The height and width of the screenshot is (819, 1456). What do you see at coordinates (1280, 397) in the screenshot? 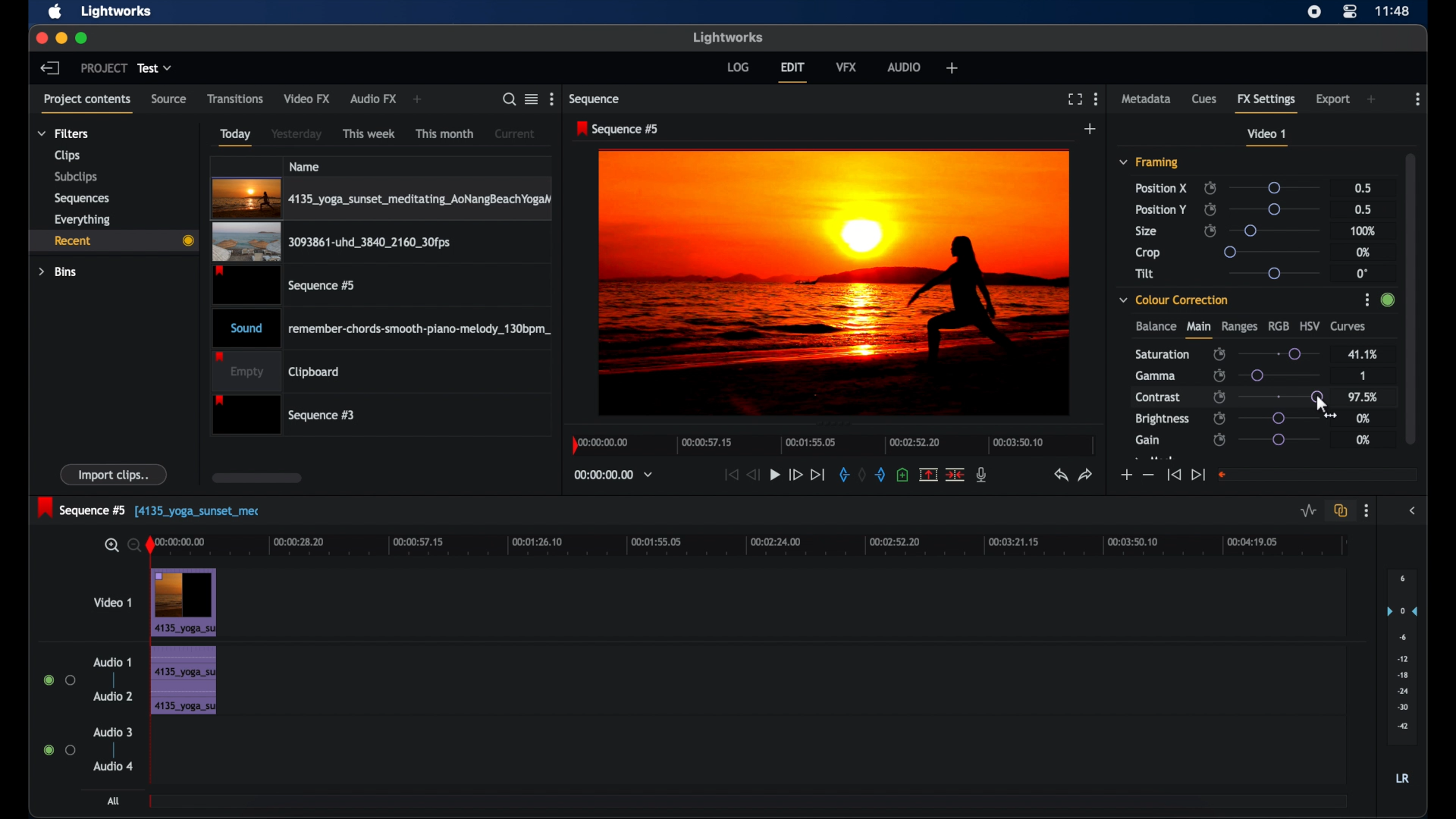
I see `slider` at bounding box center [1280, 397].